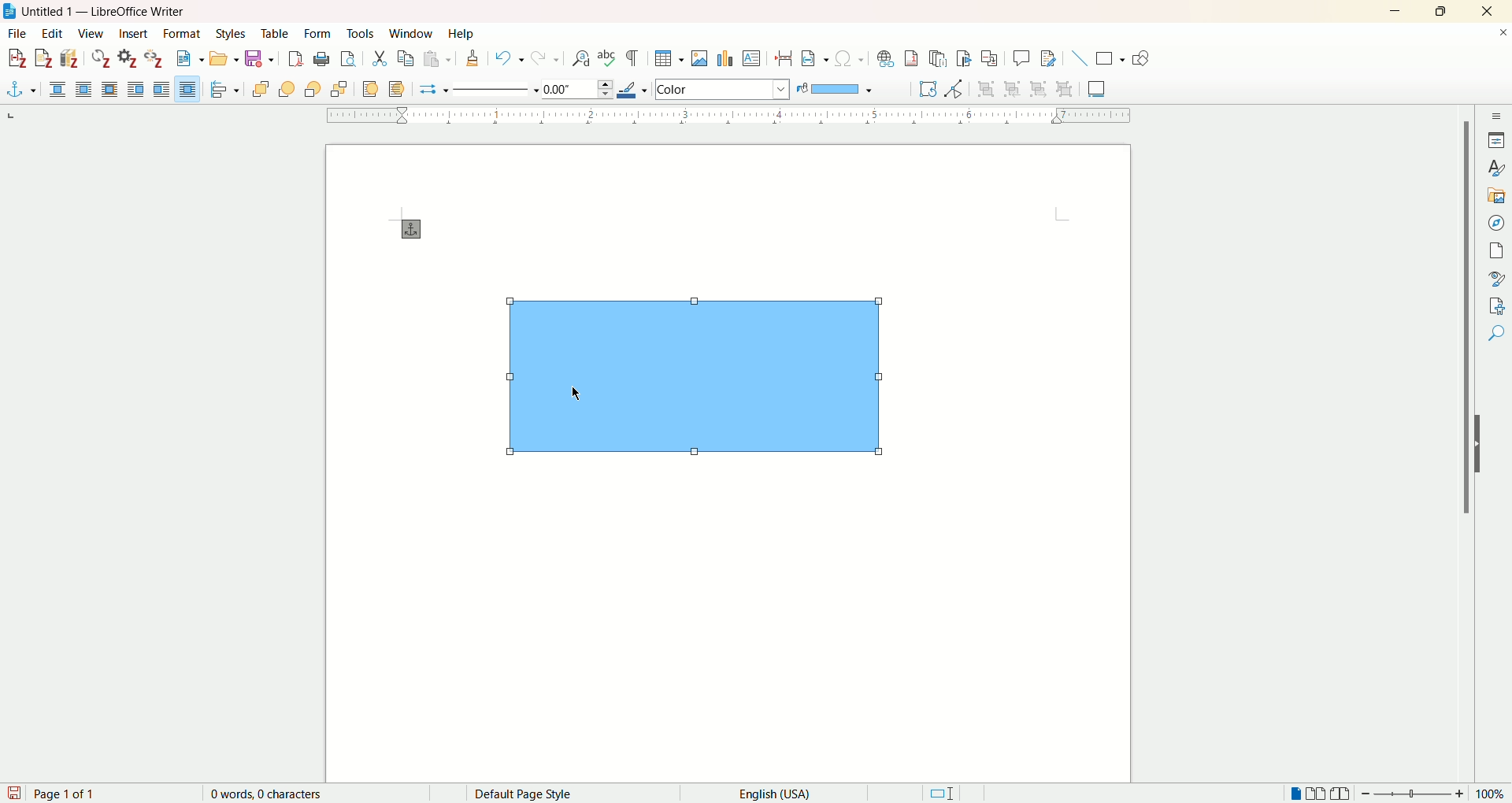  Describe the element at coordinates (83, 91) in the screenshot. I see `parallel` at that location.